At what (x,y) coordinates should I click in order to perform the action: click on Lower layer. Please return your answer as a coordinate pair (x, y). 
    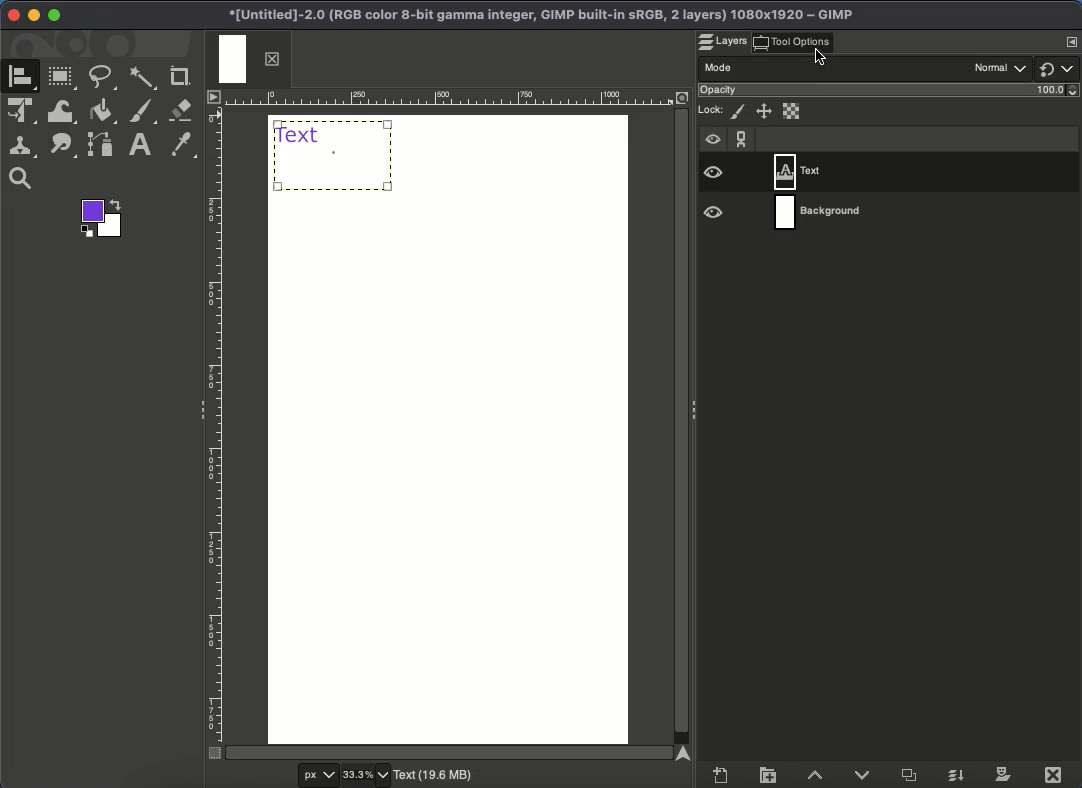
    Looking at the image, I should click on (865, 775).